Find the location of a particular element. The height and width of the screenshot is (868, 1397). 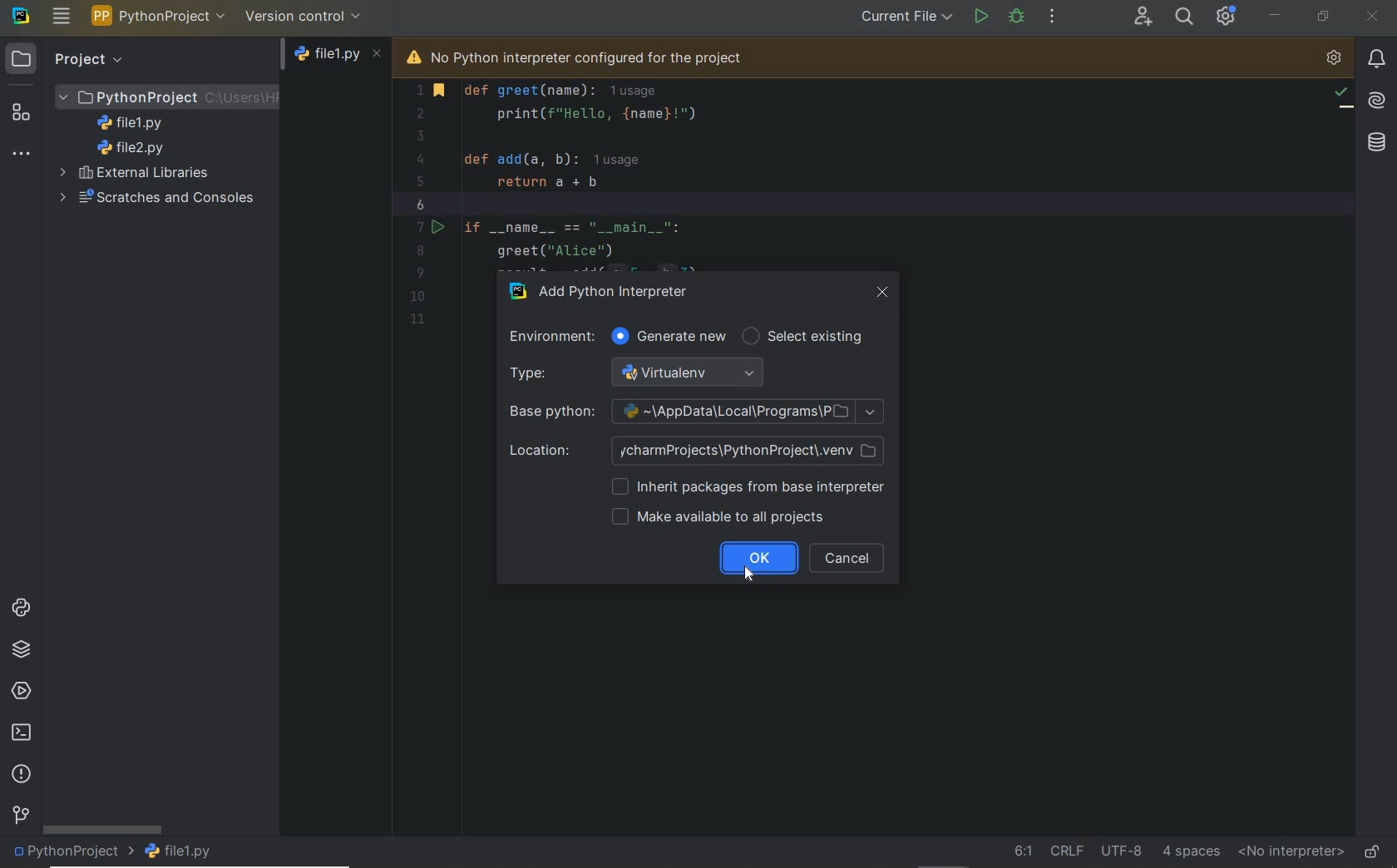

close is located at coordinates (882, 293).